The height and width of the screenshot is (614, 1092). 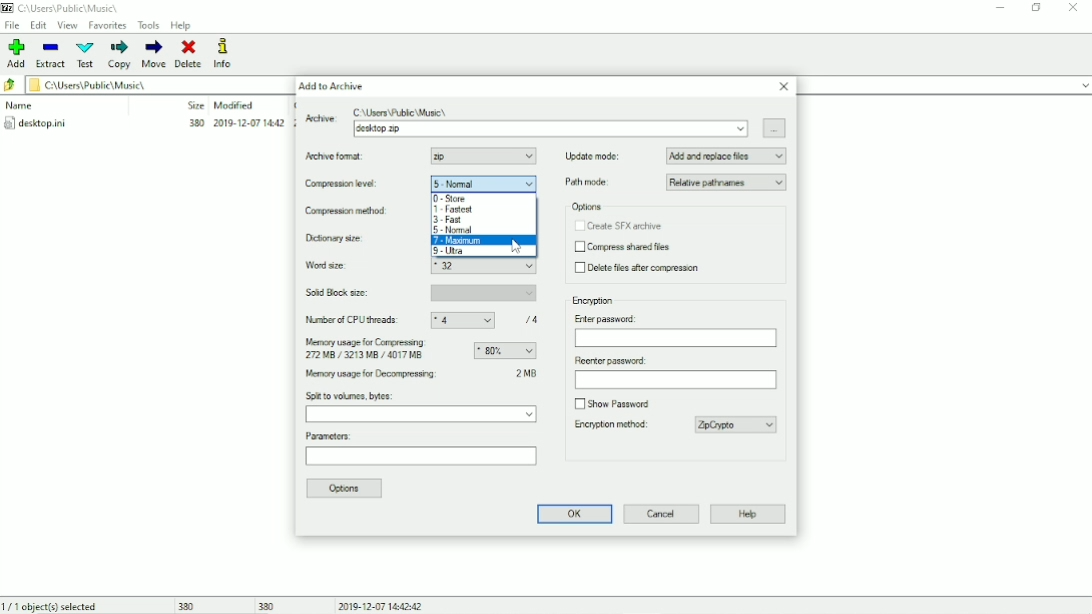 What do you see at coordinates (675, 373) in the screenshot?
I see `Reenter password` at bounding box center [675, 373].